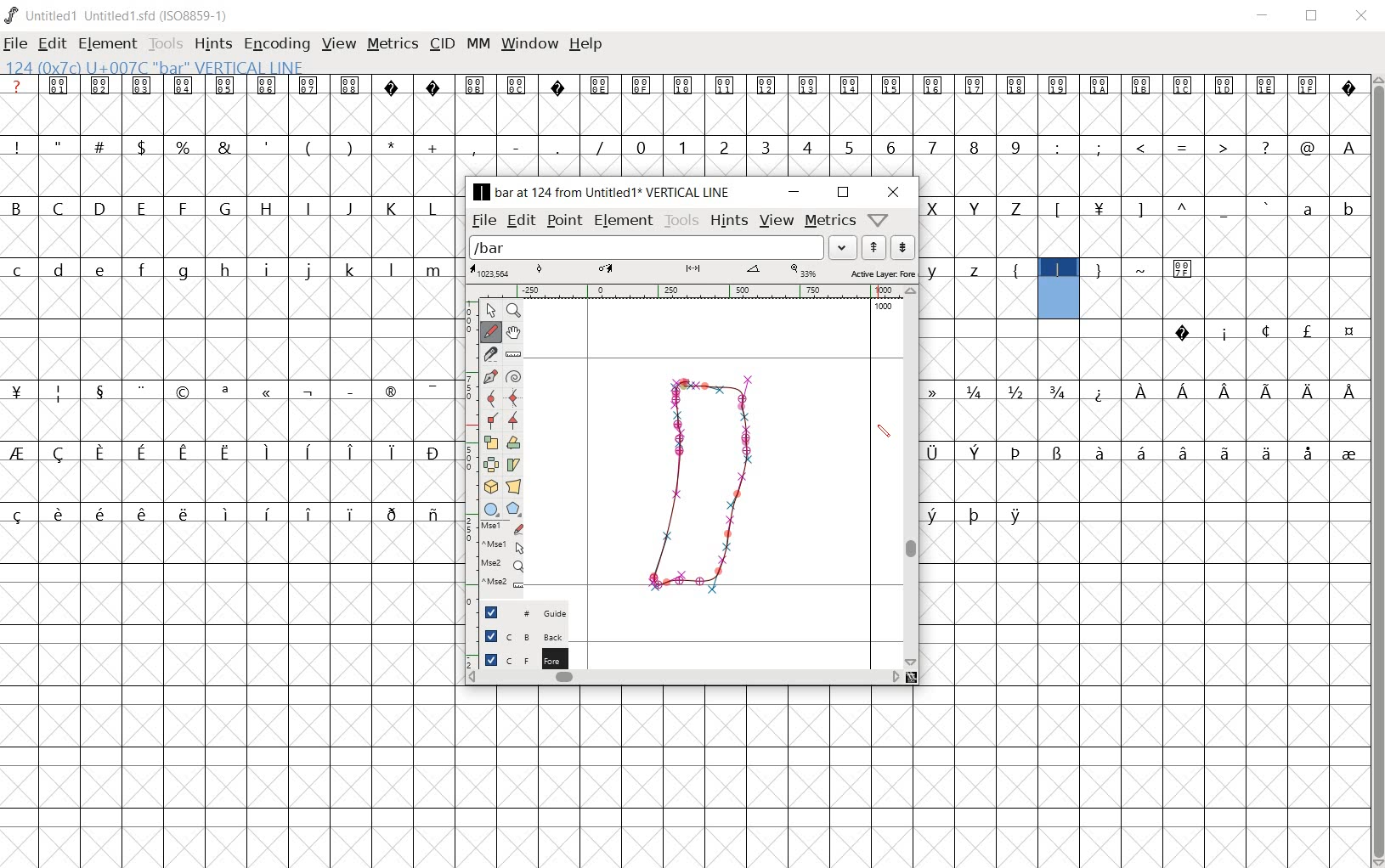 The height and width of the screenshot is (868, 1385). Describe the element at coordinates (513, 332) in the screenshot. I see `scroll by hand` at that location.